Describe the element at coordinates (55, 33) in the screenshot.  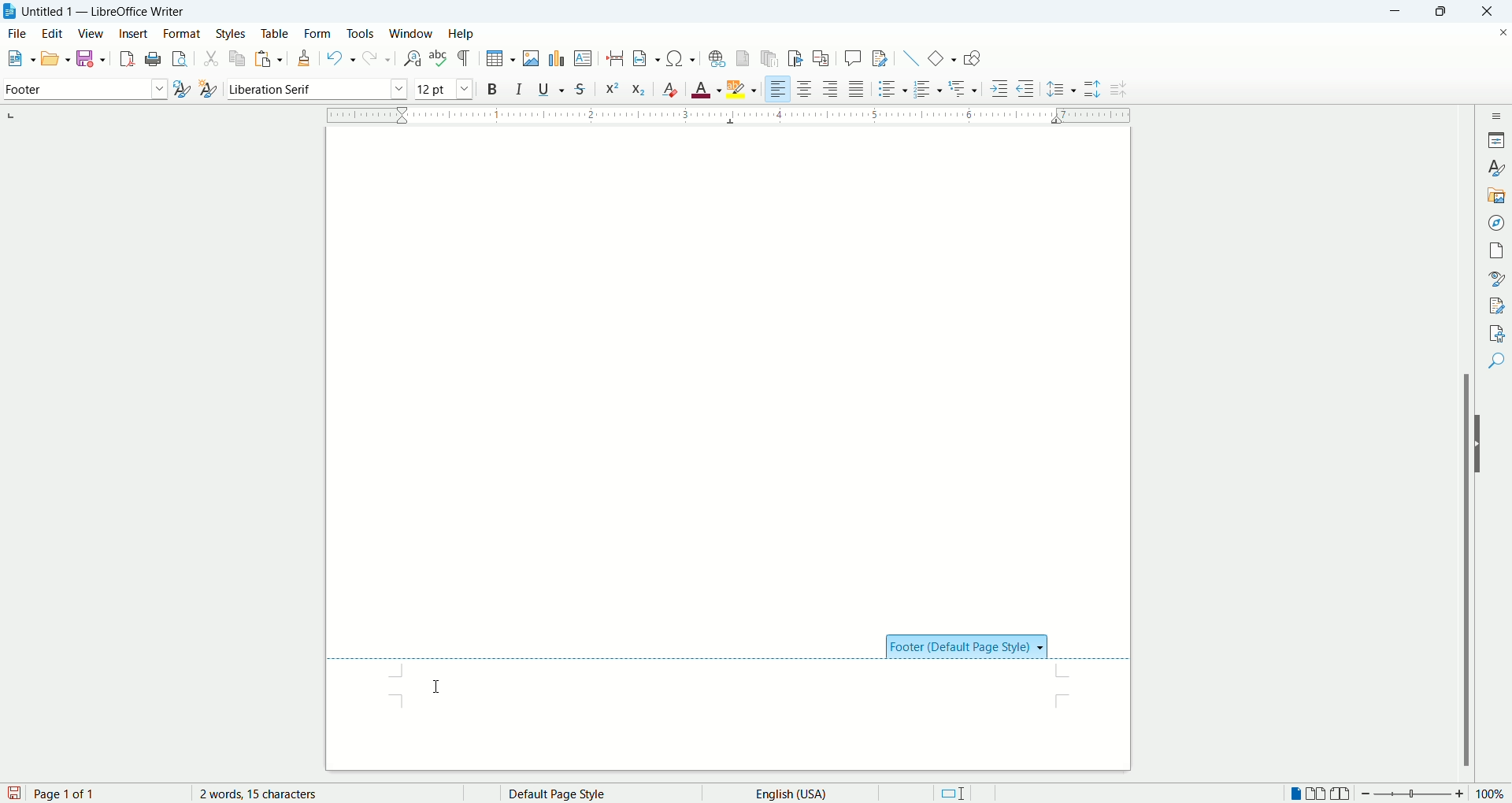
I see `edit` at that location.